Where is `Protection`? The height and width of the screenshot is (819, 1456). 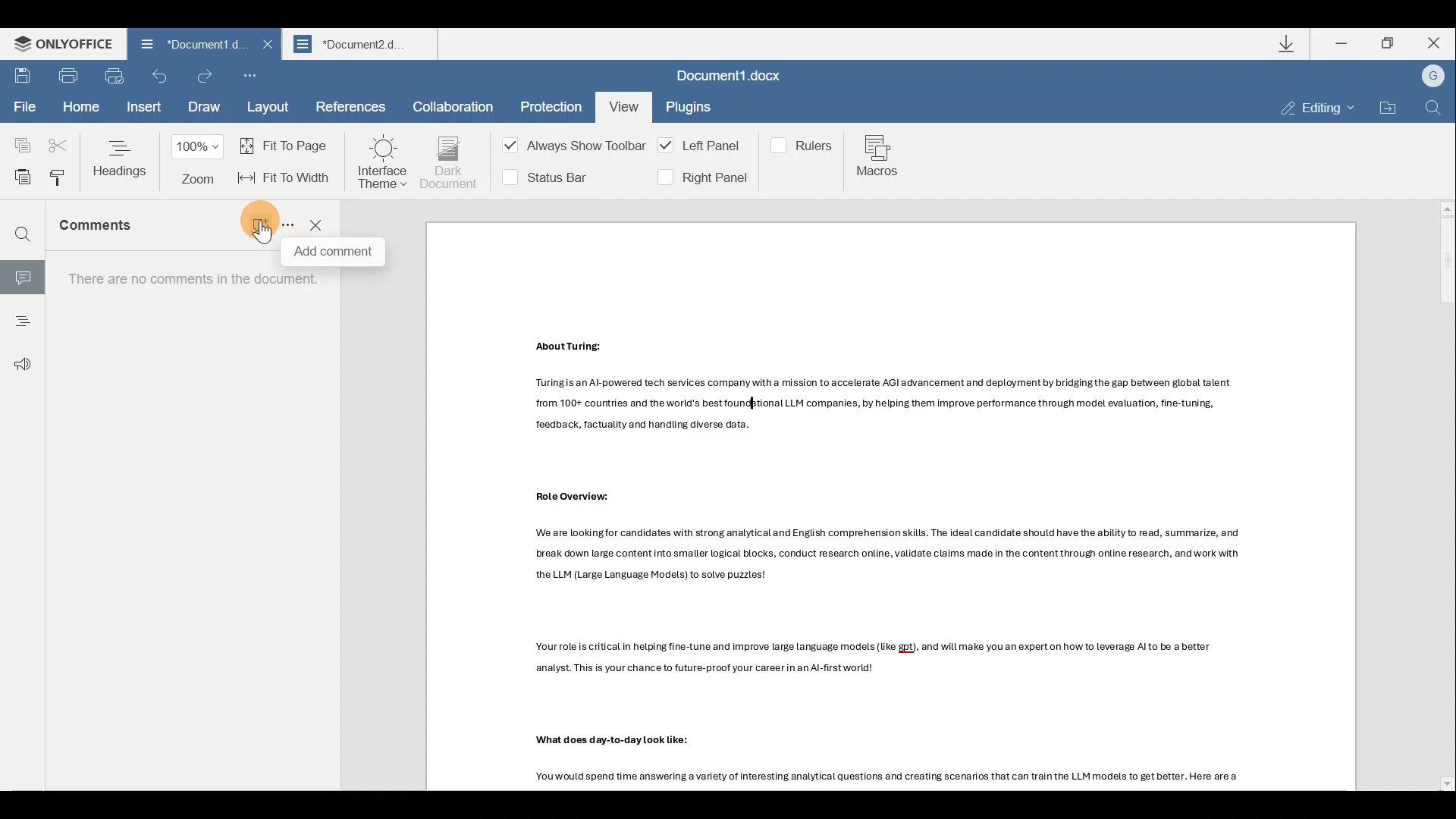 Protection is located at coordinates (547, 104).